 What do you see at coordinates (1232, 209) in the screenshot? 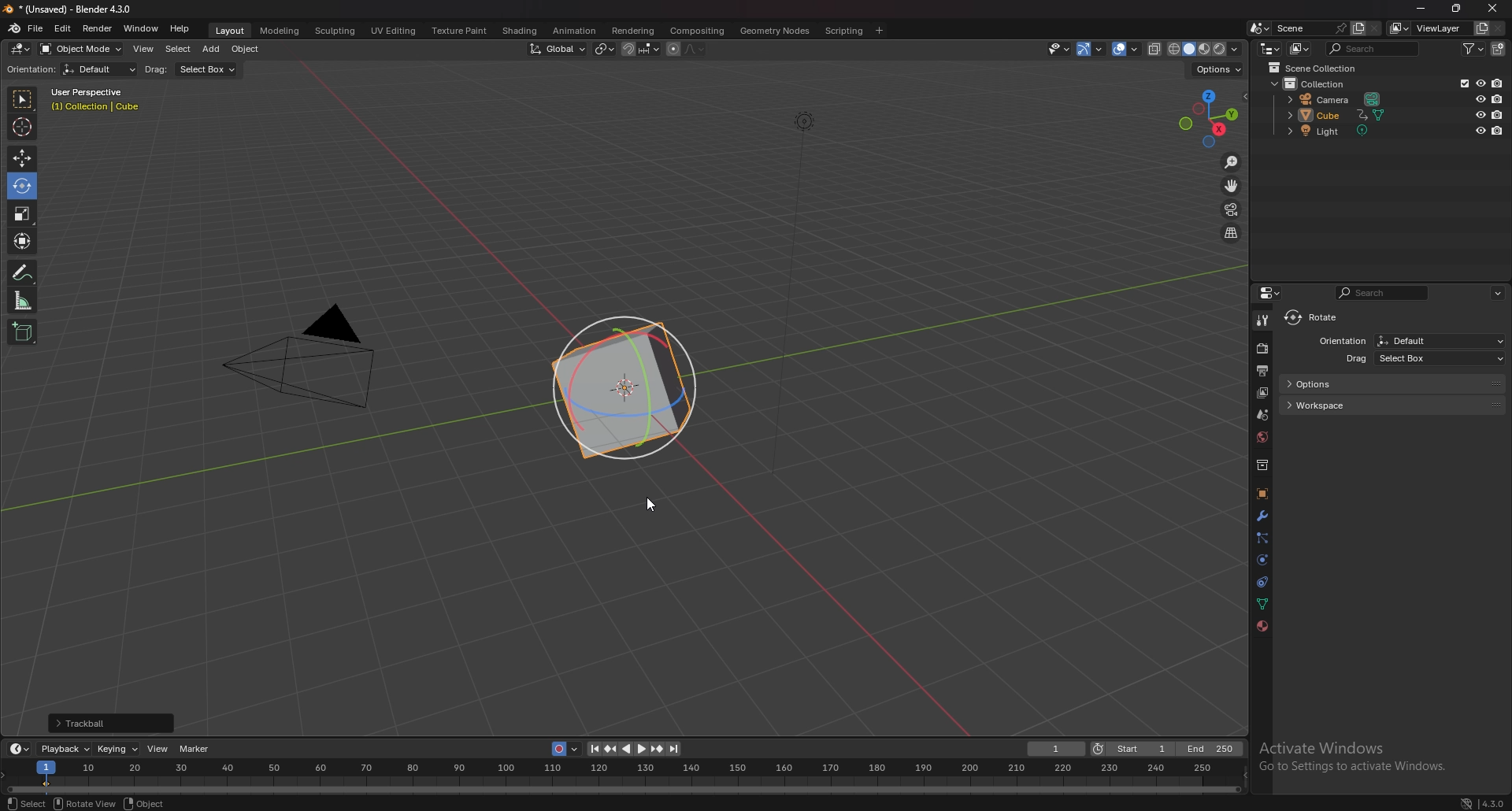
I see `camera view` at bounding box center [1232, 209].